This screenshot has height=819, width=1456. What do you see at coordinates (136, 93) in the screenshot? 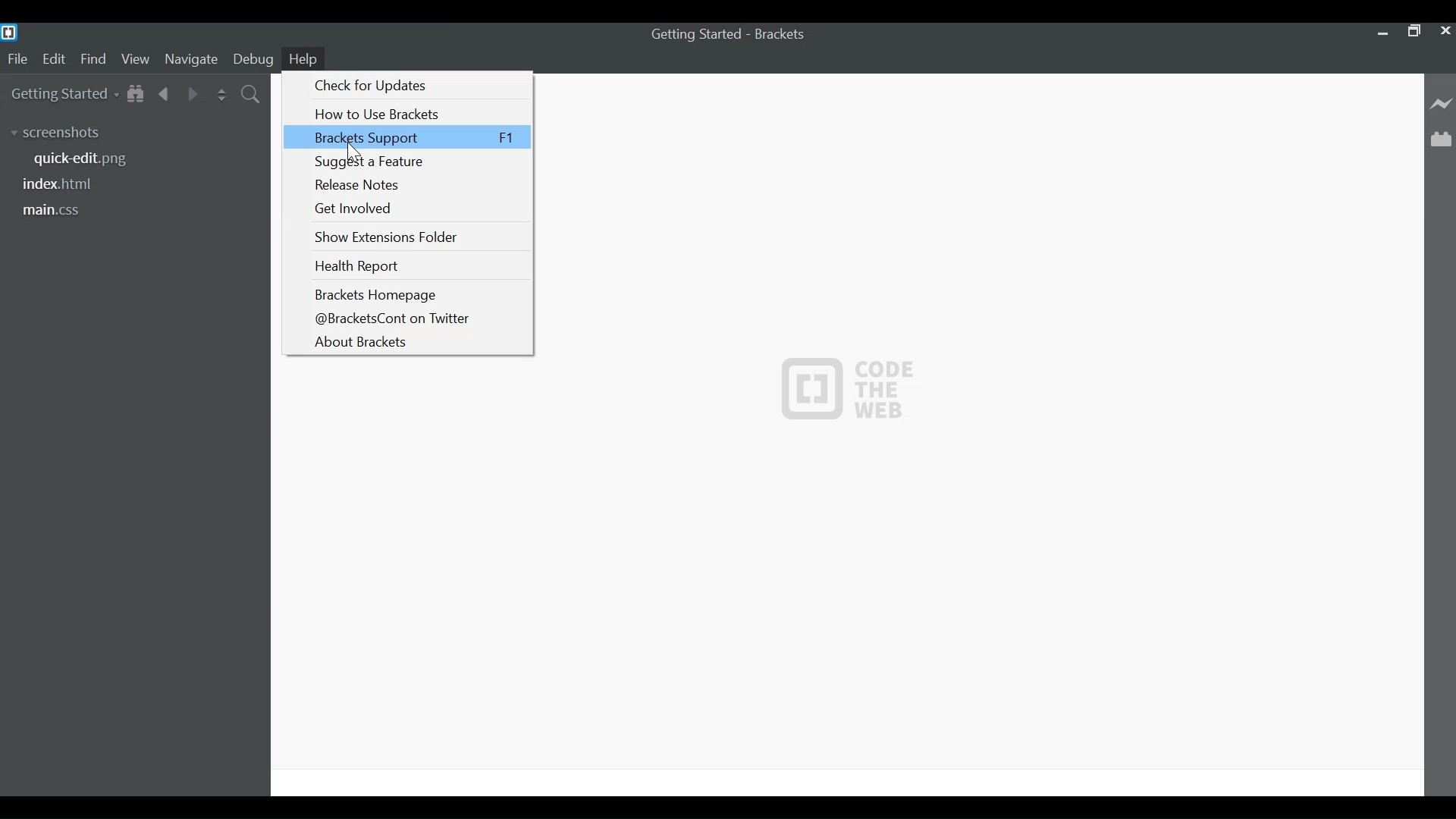
I see `Show in File tree` at bounding box center [136, 93].